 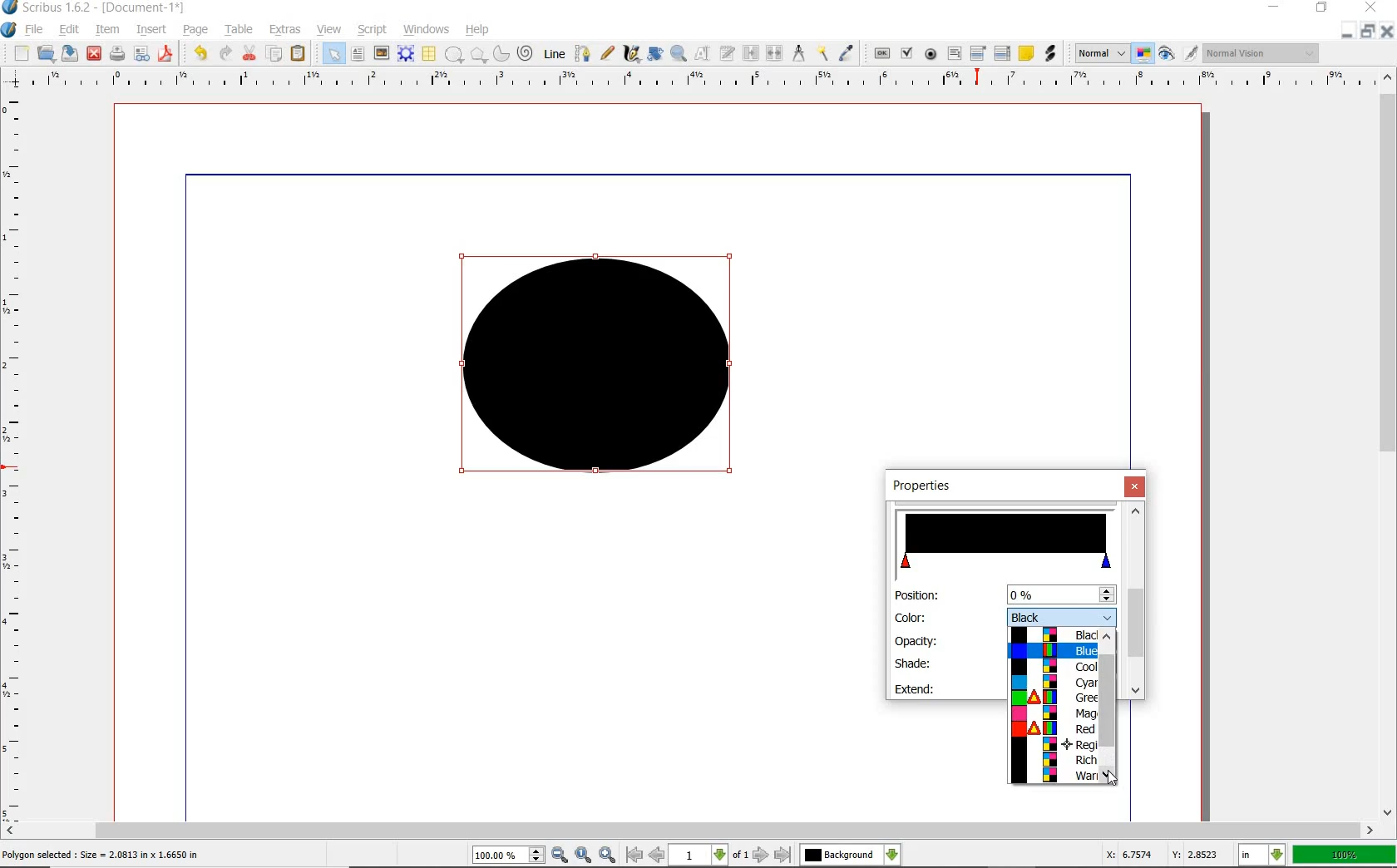 What do you see at coordinates (1369, 7) in the screenshot?
I see `CLOSE` at bounding box center [1369, 7].